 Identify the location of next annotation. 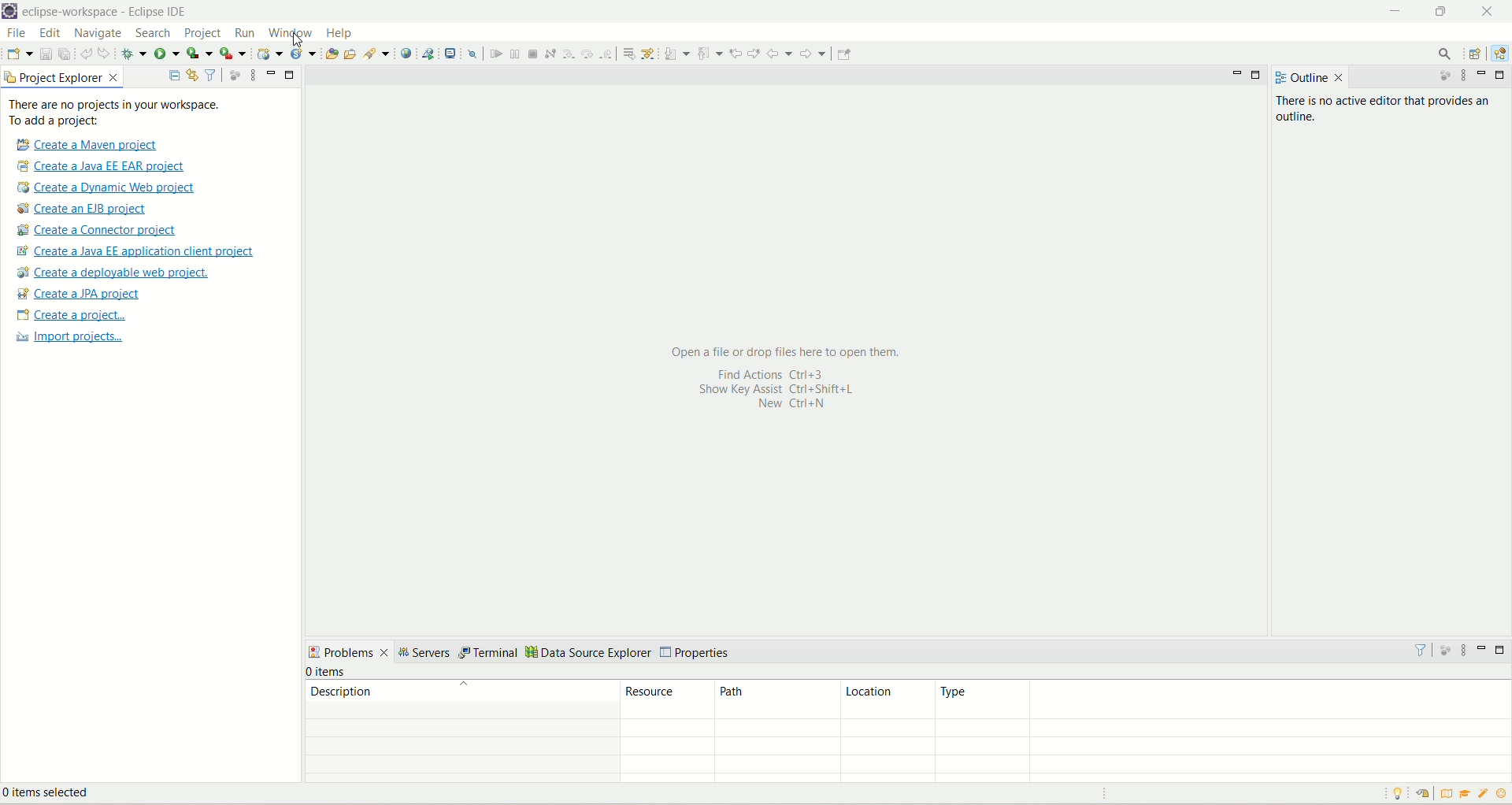
(676, 54).